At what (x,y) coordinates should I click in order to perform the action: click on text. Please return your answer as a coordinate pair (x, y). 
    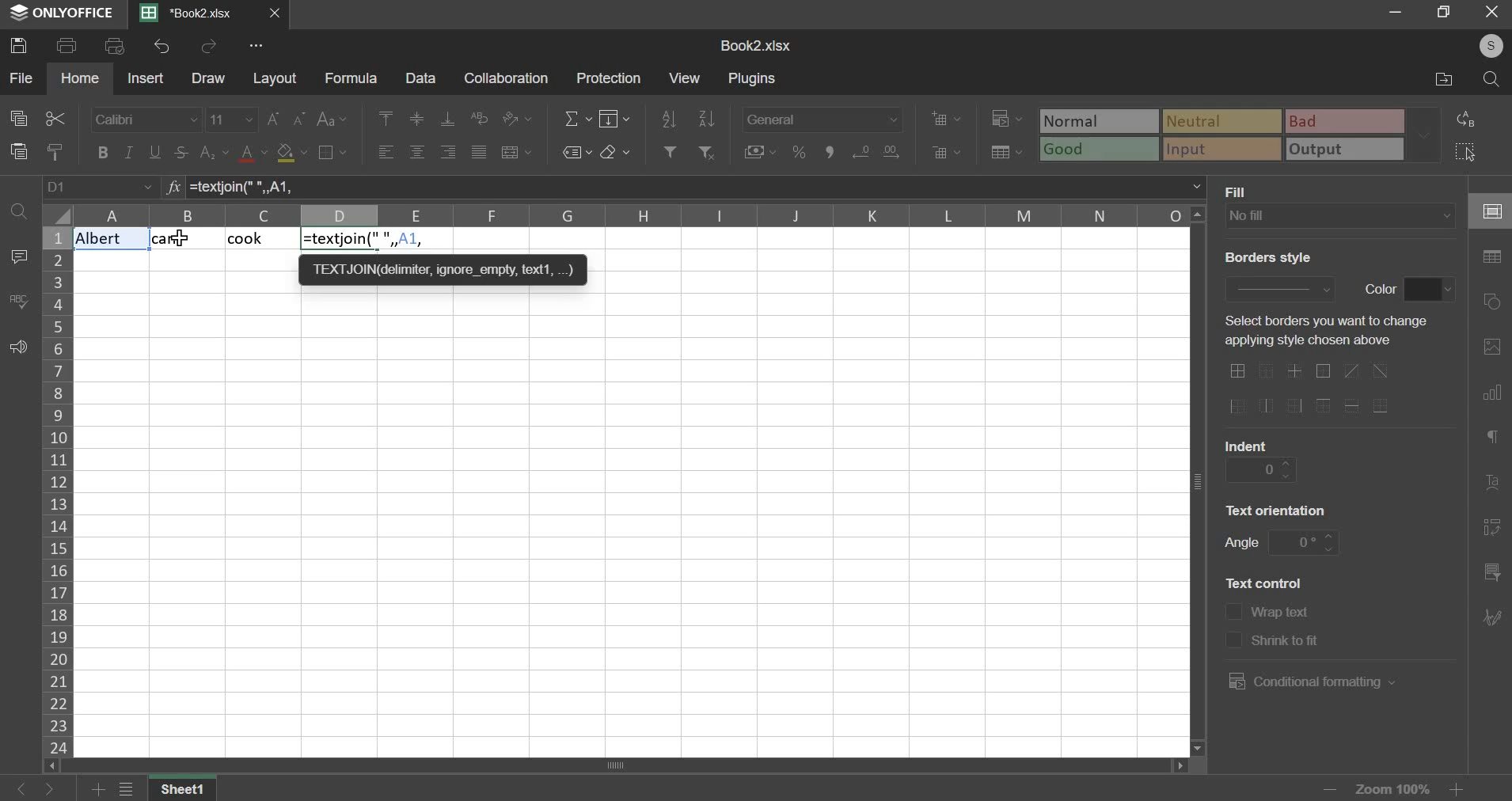
    Looking at the image, I should click on (1241, 191).